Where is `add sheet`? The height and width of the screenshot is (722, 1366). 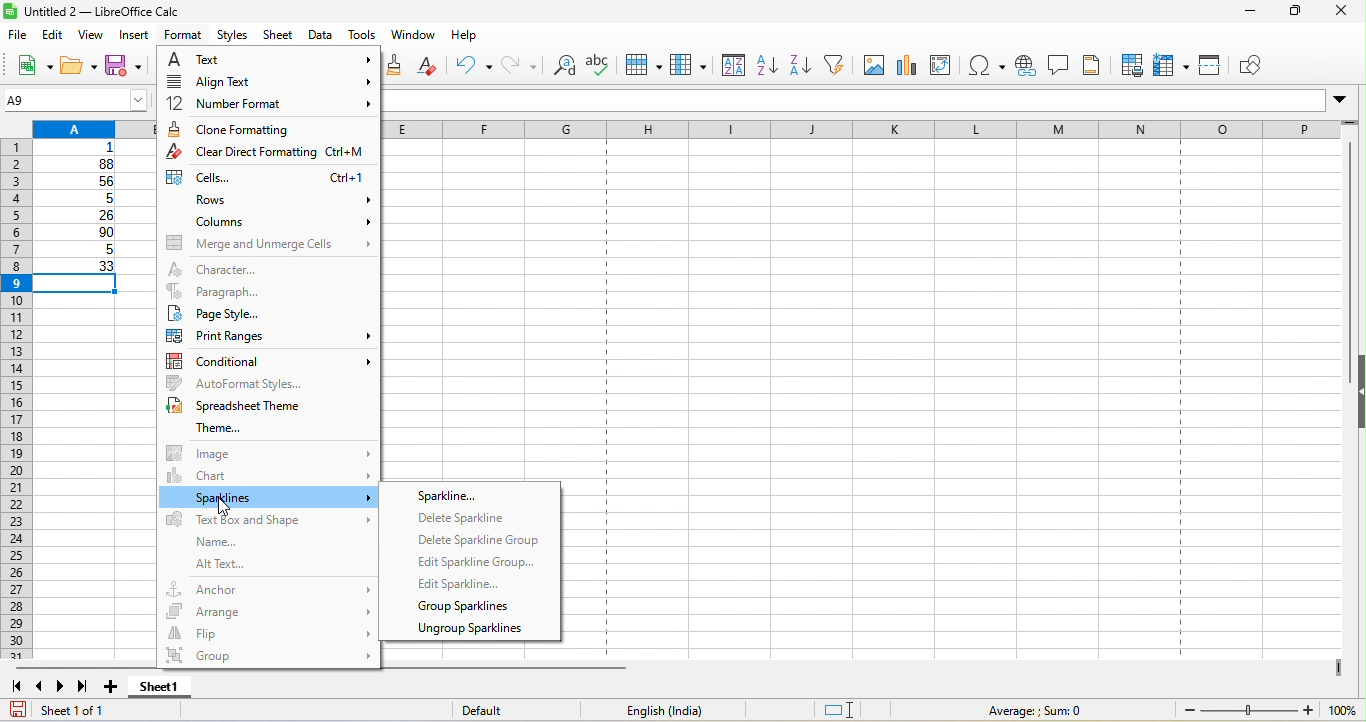 add sheet is located at coordinates (113, 687).